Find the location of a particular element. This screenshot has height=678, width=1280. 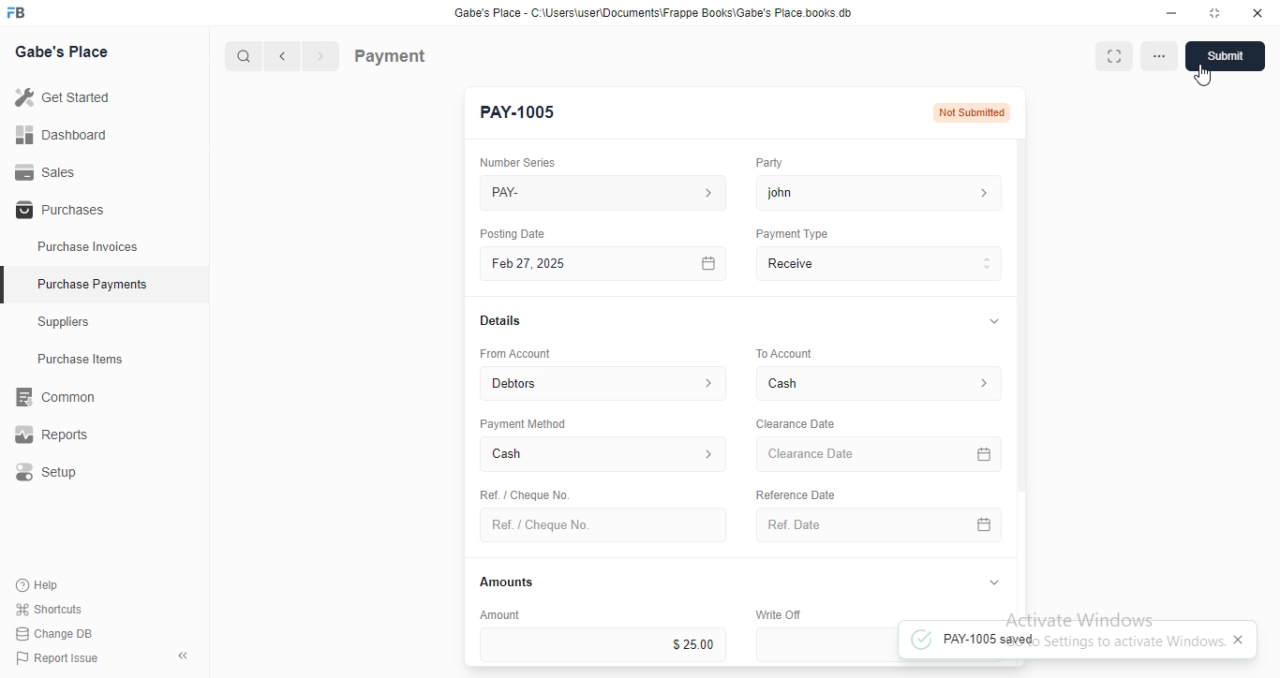

Details is located at coordinates (498, 321).